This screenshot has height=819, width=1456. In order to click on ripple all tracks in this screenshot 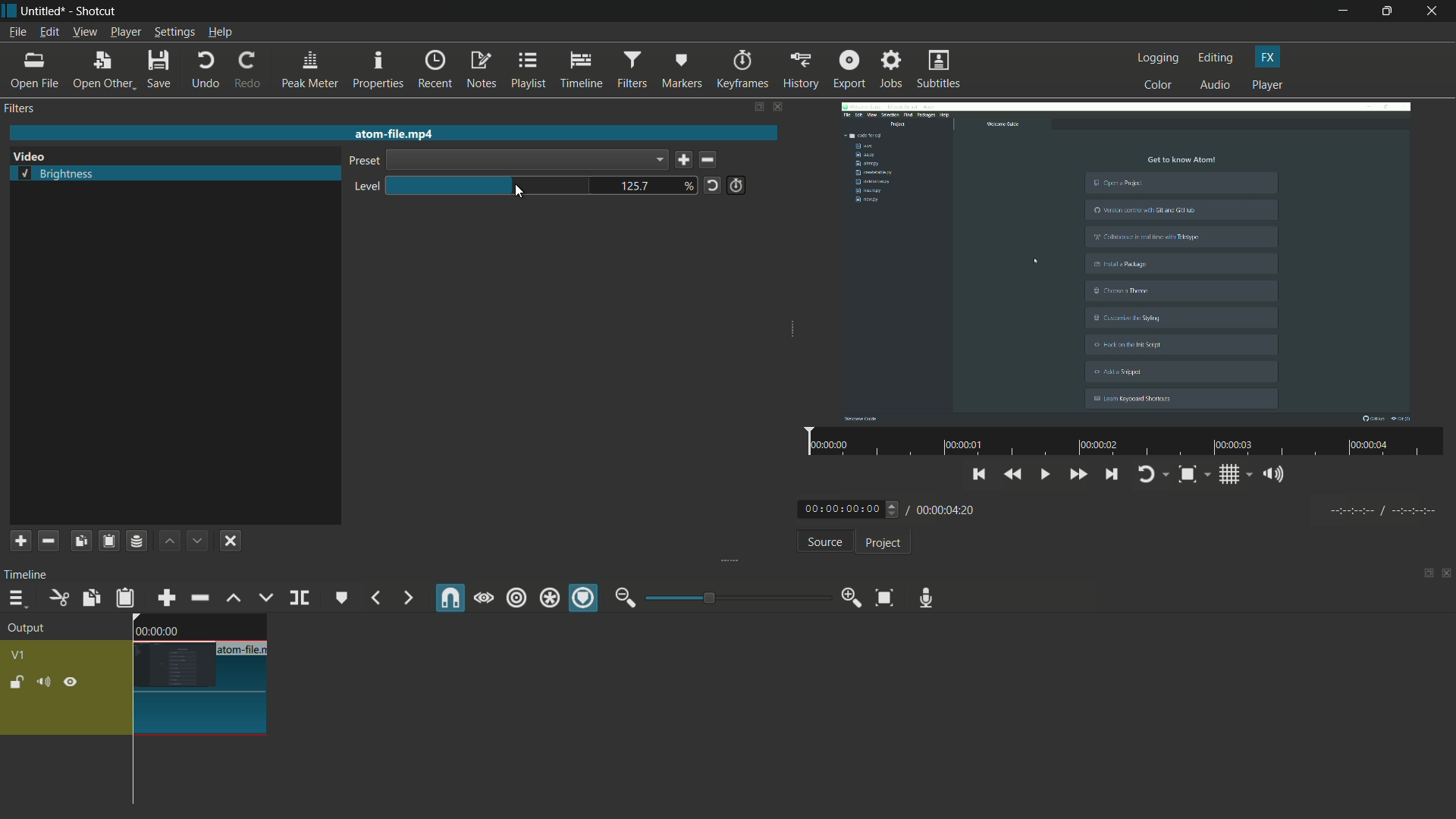, I will do `click(548, 600)`.